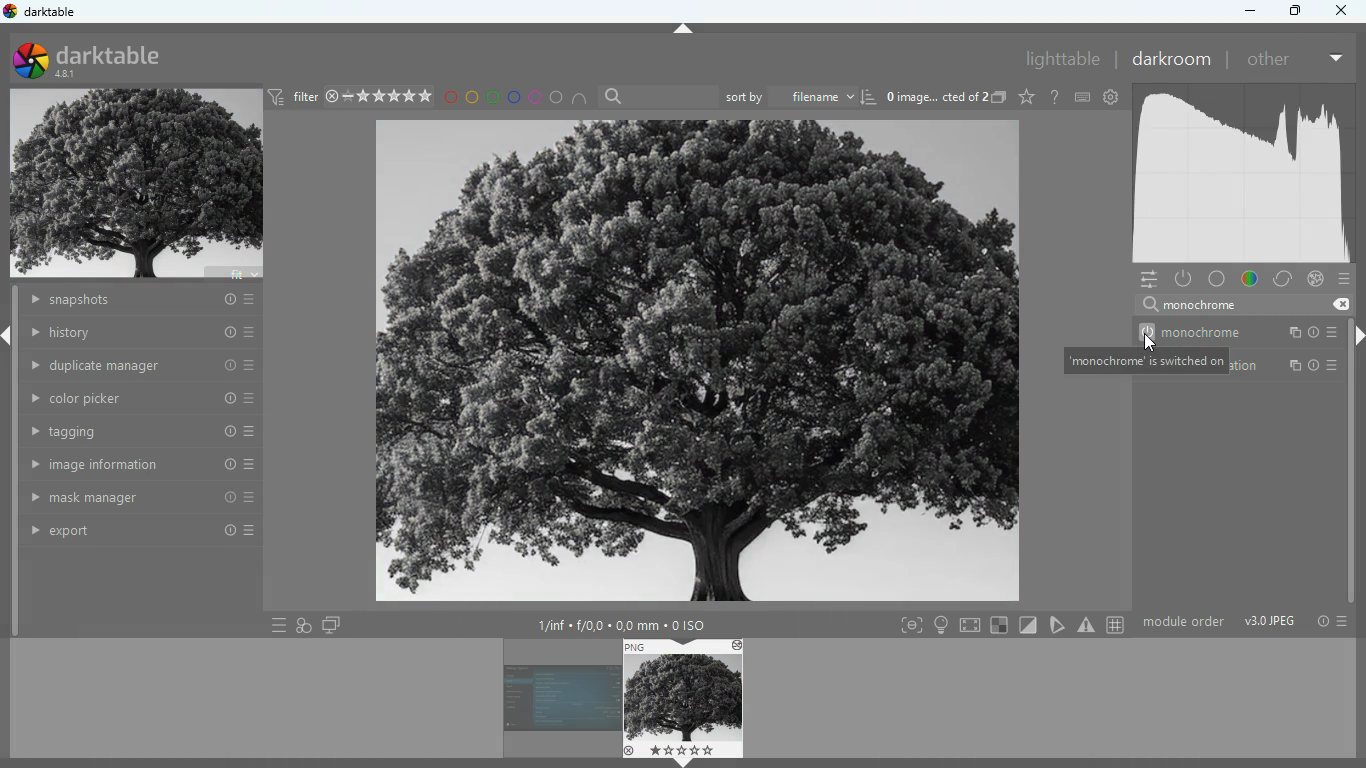 Image resolution: width=1366 pixels, height=768 pixels. I want to click on image type, so click(1270, 623).